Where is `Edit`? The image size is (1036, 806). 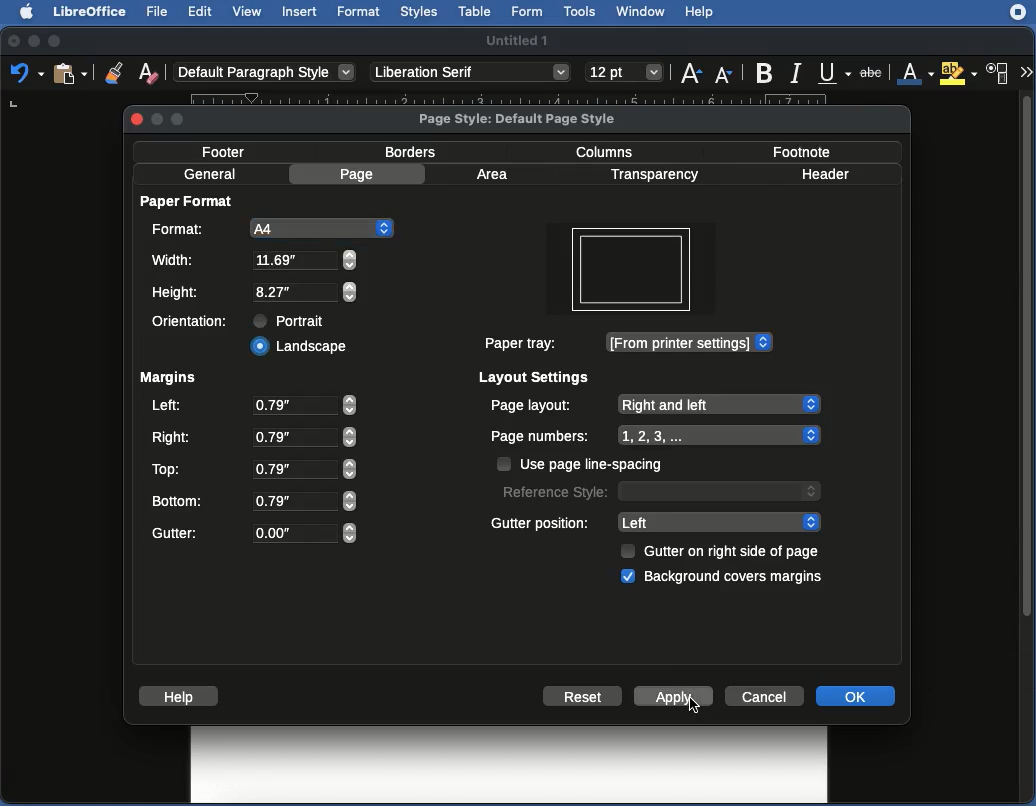 Edit is located at coordinates (200, 12).